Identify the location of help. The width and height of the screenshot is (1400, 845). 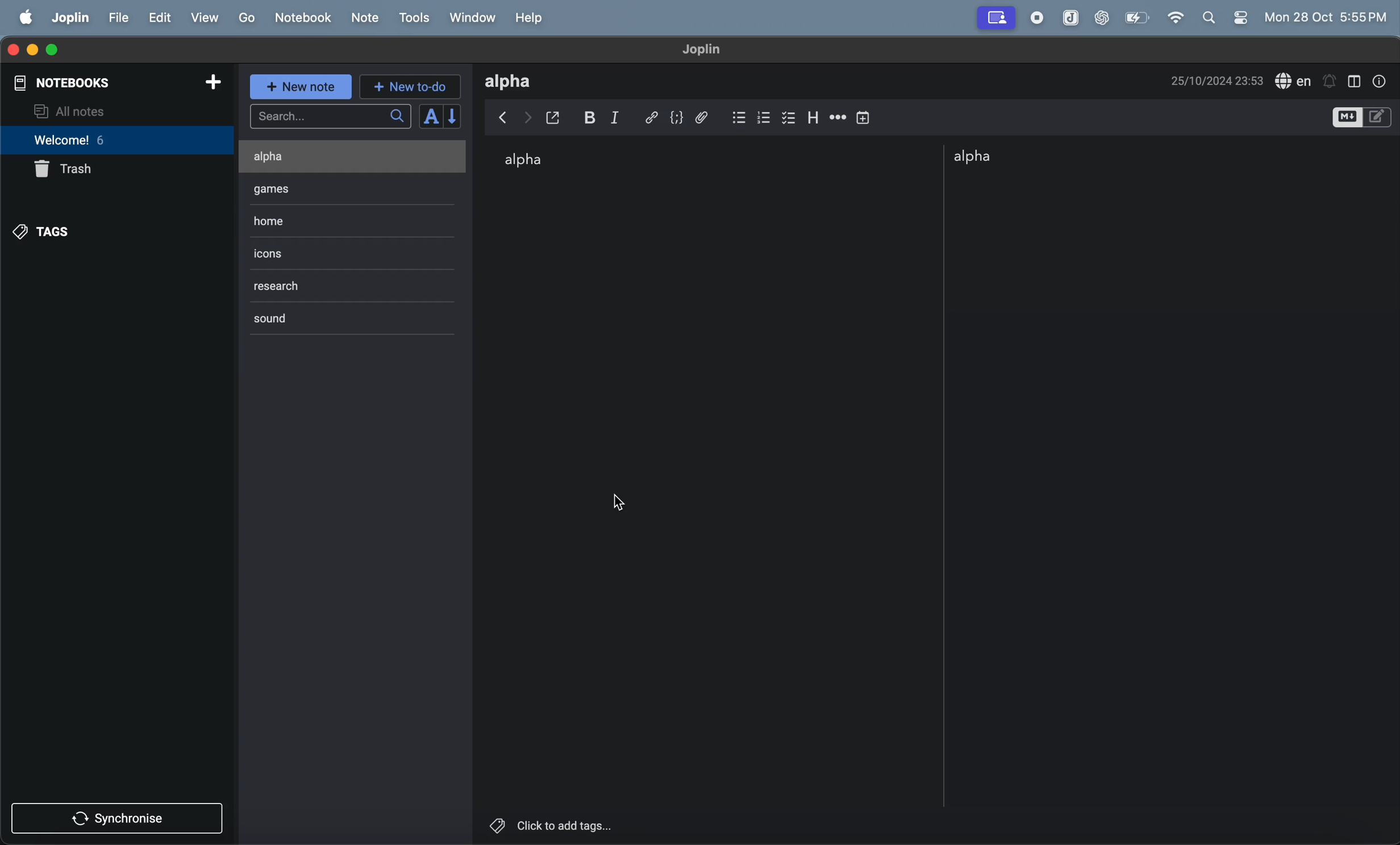
(532, 18).